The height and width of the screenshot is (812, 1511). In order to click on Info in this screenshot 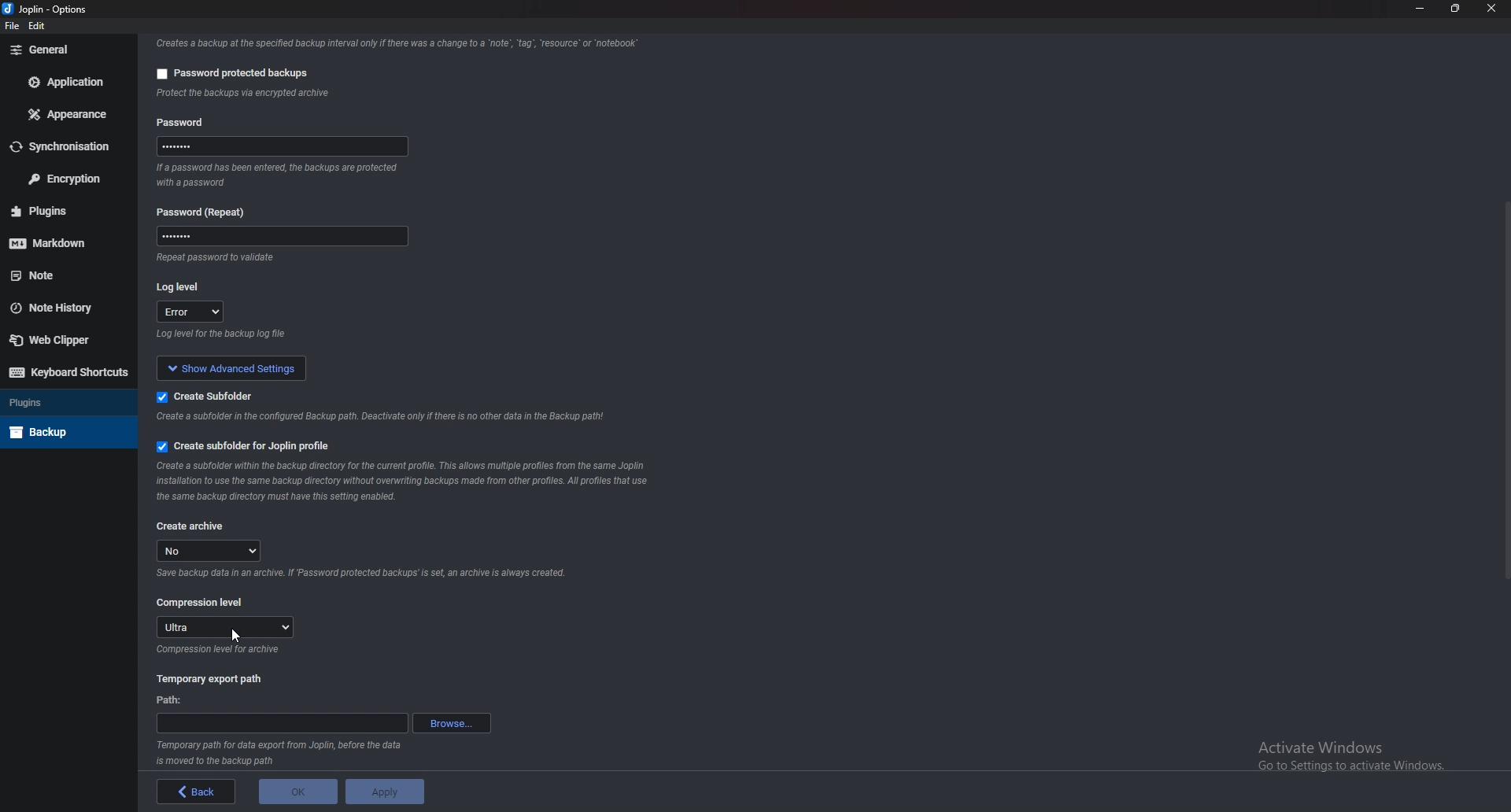, I will do `click(220, 651)`.